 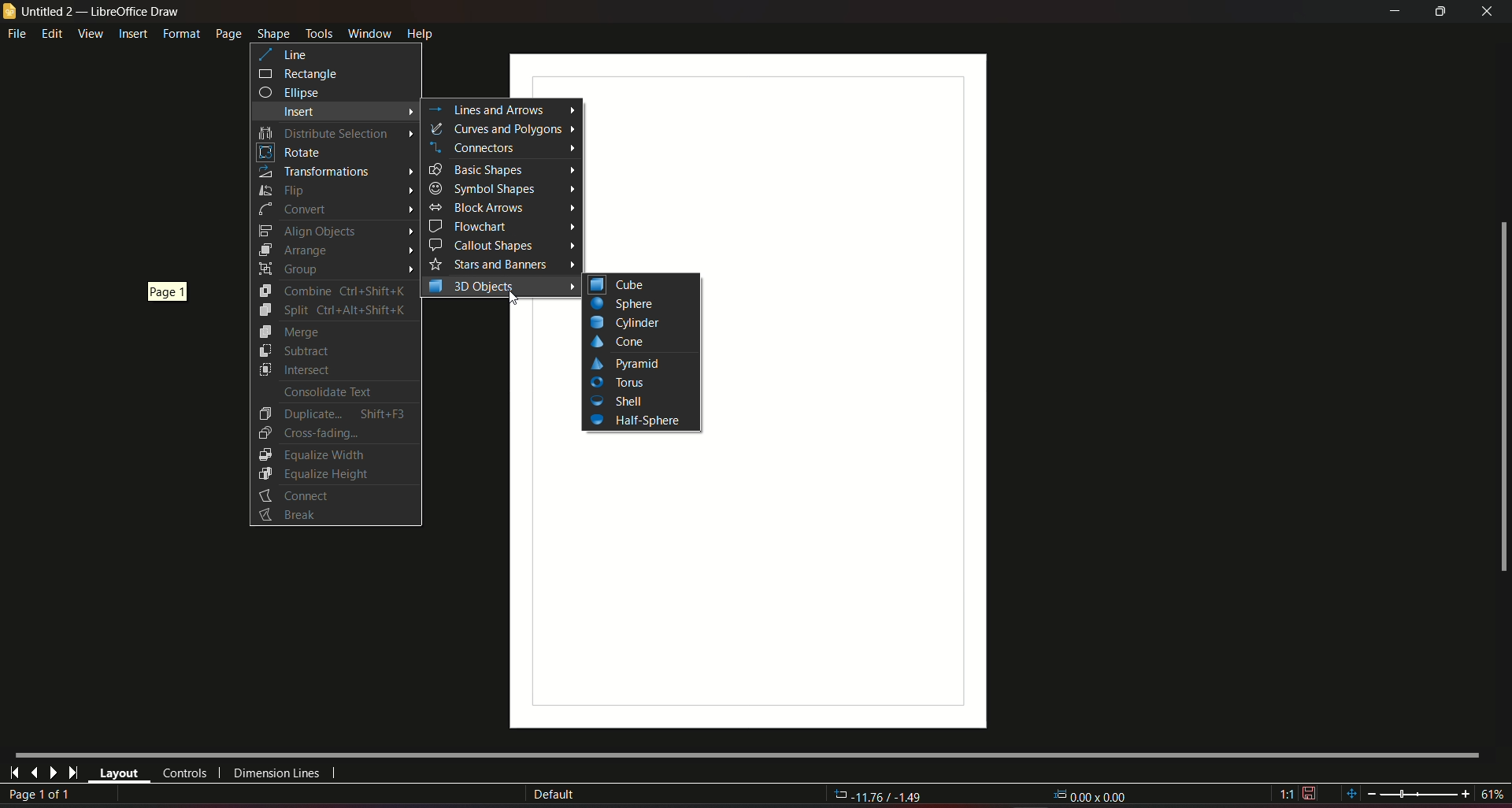 I want to click on file, so click(x=18, y=35).